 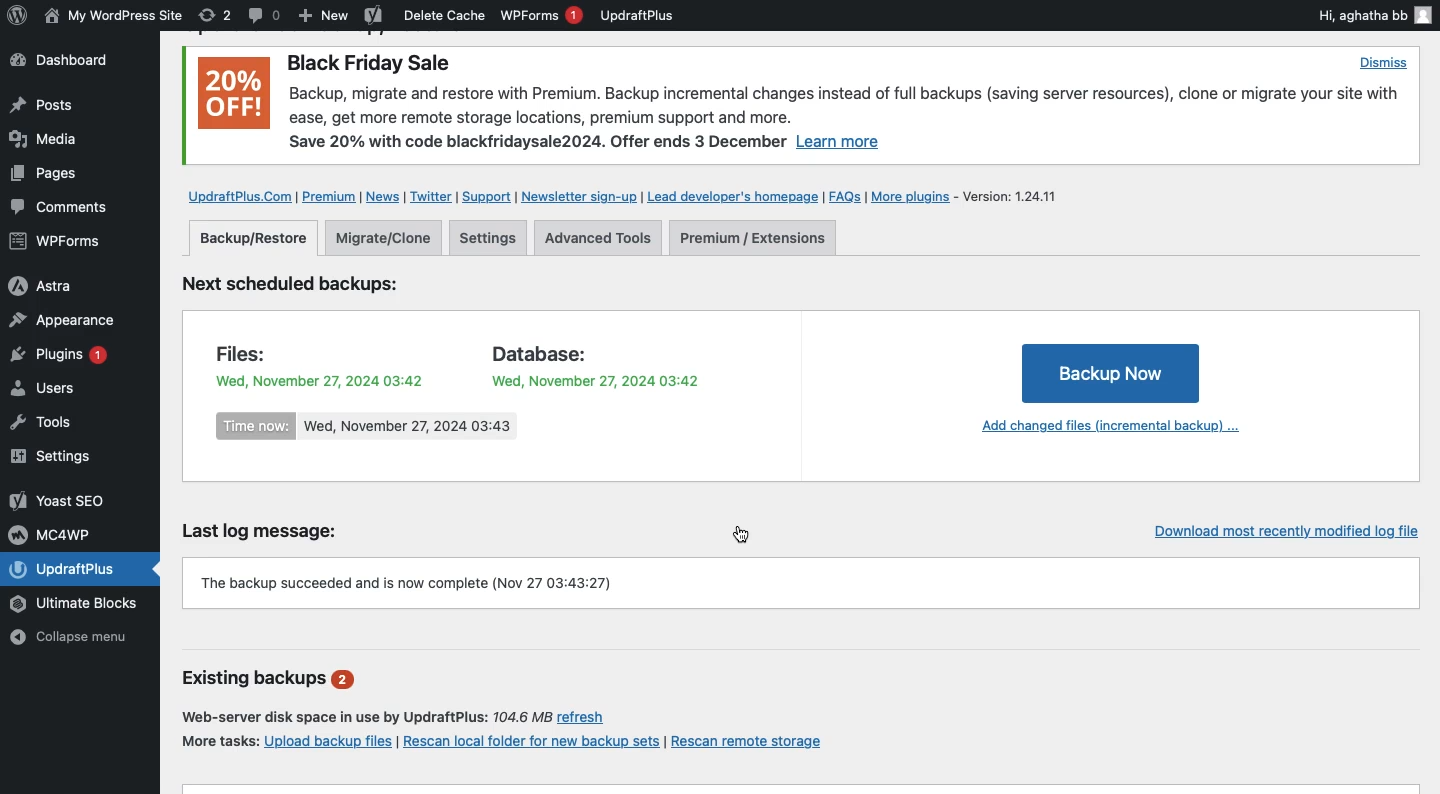 I want to click on Tools, so click(x=54, y=422).